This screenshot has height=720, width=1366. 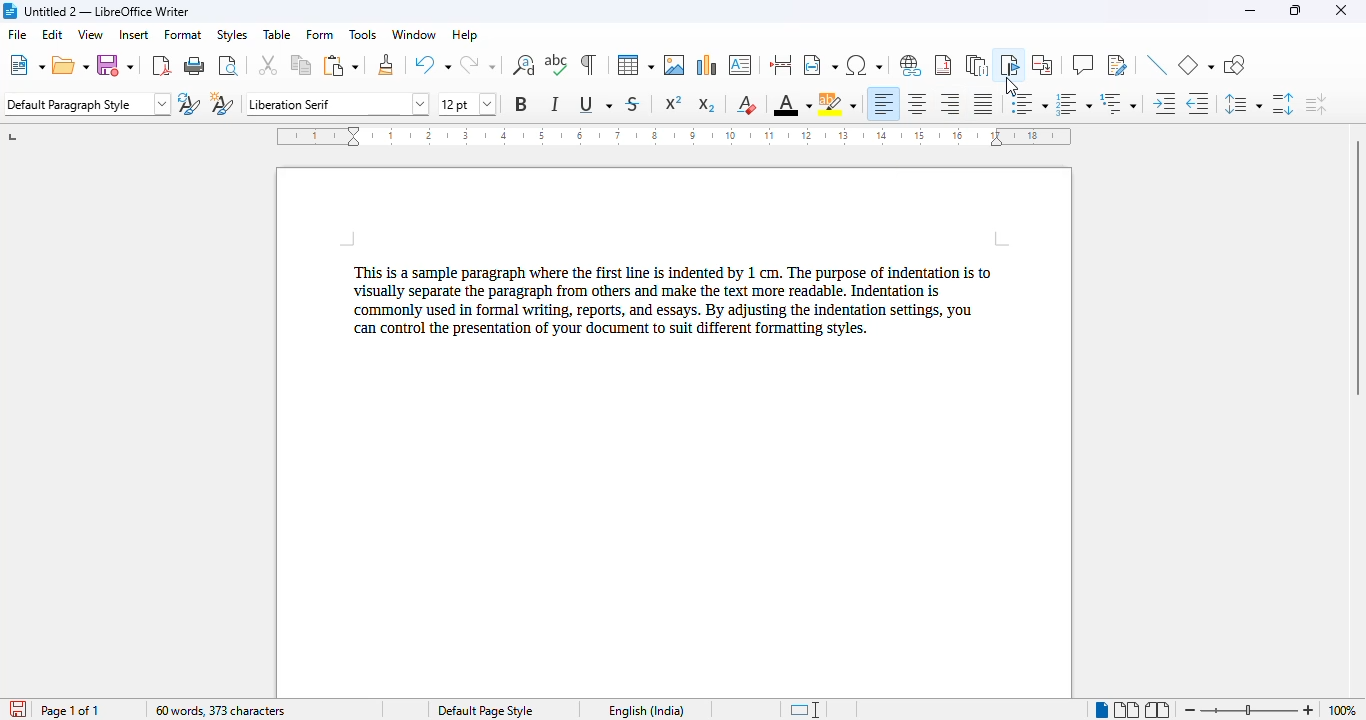 What do you see at coordinates (943, 65) in the screenshot?
I see `insert footnote` at bounding box center [943, 65].